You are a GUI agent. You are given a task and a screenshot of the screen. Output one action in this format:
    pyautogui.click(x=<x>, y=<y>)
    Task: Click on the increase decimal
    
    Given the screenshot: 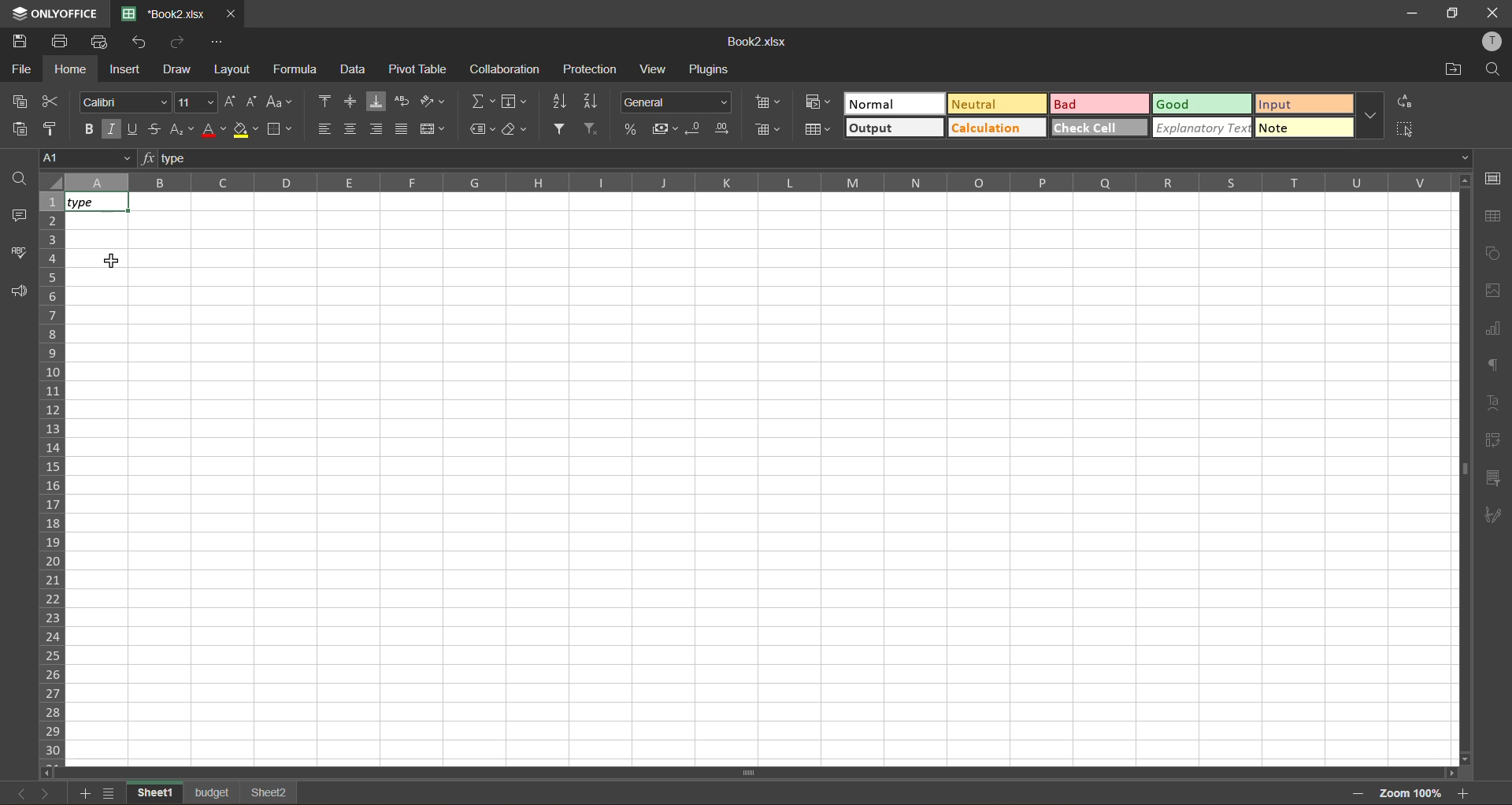 What is the action you would take?
    pyautogui.click(x=723, y=129)
    